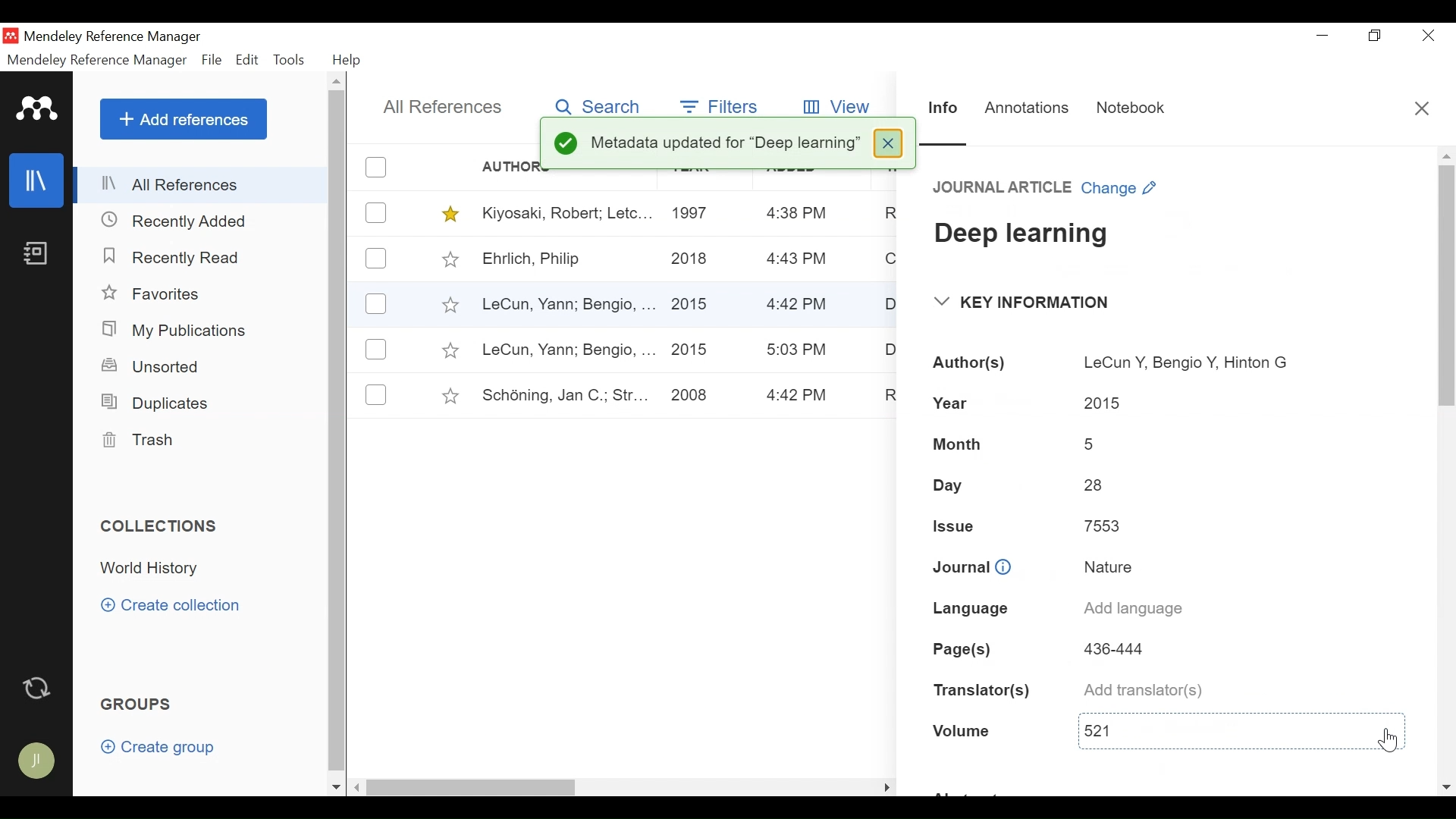 This screenshot has width=1456, height=819. I want to click on Trash, so click(137, 441).